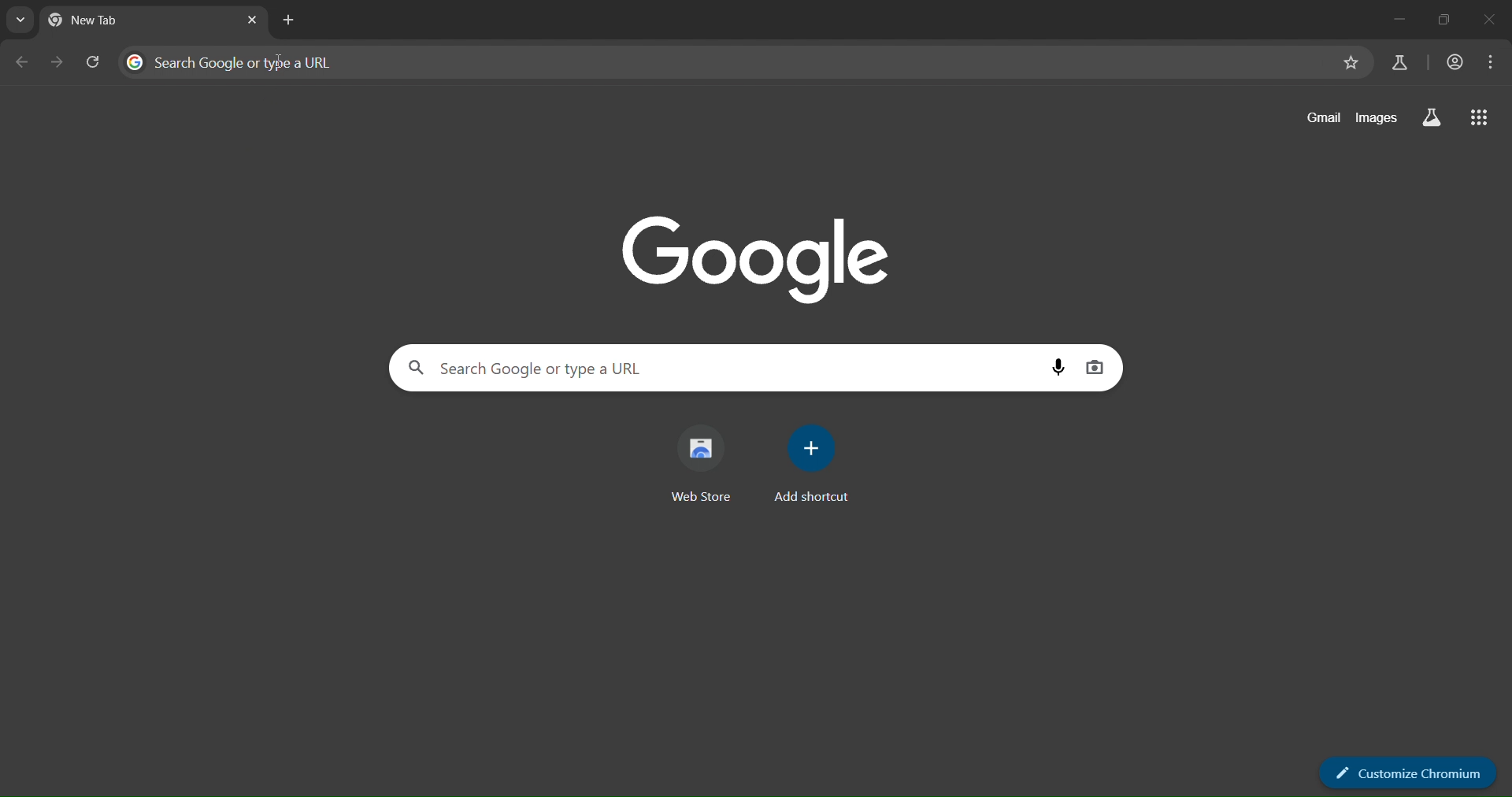 This screenshot has height=797, width=1512. I want to click on go back one page, so click(22, 65).